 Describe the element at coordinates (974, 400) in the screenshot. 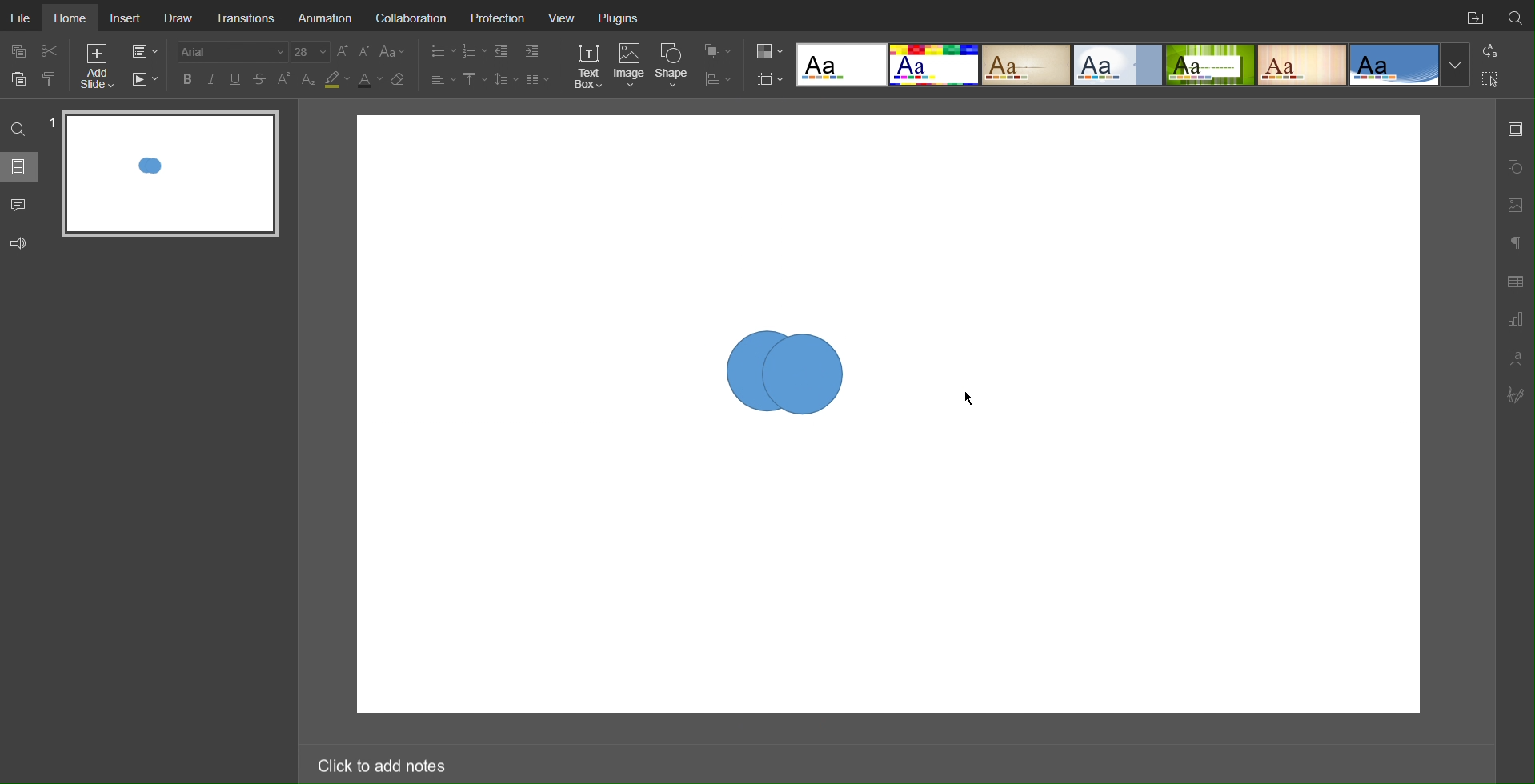

I see `Cursor` at that location.